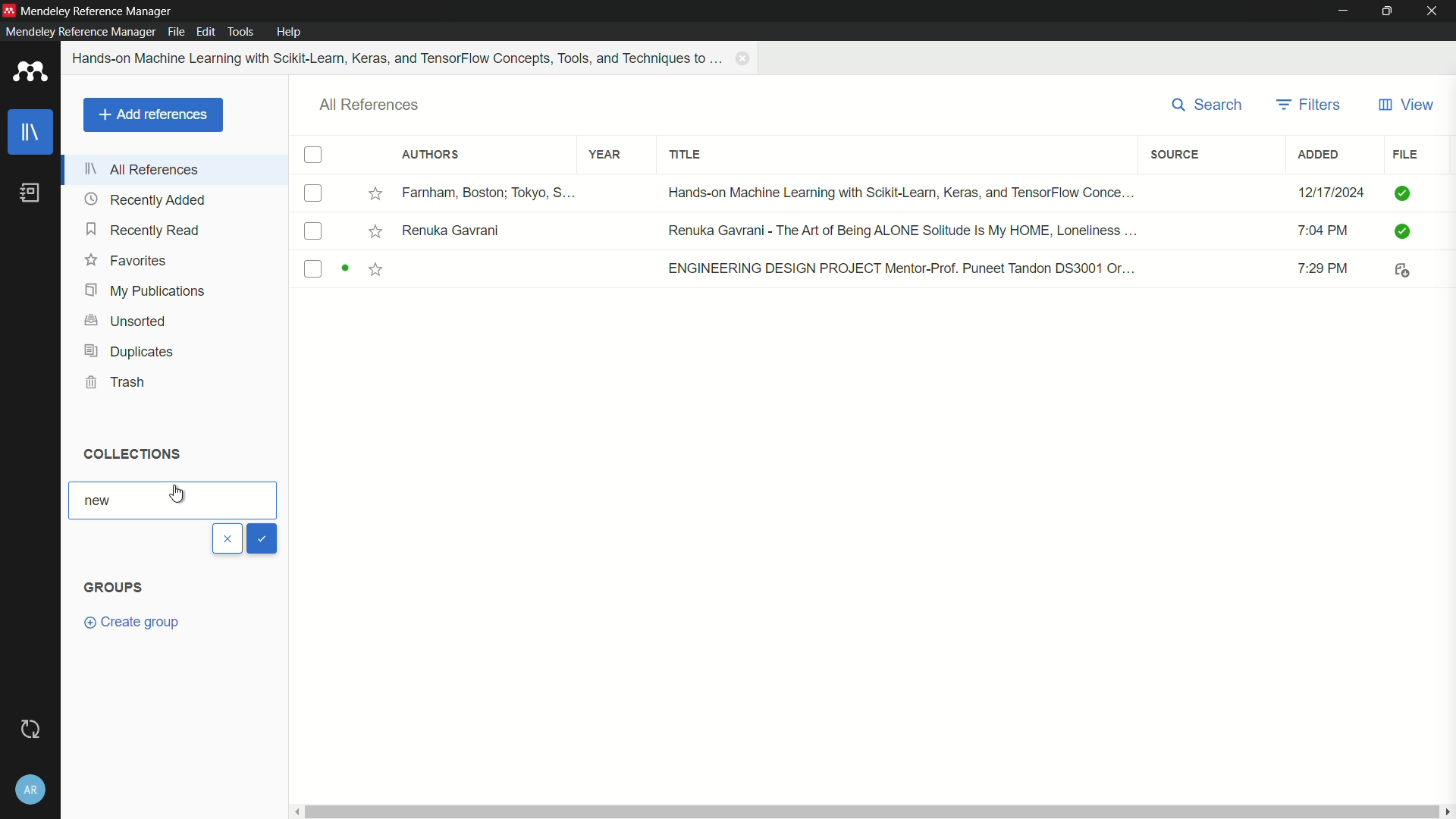 This screenshot has width=1456, height=819. What do you see at coordinates (180, 495) in the screenshot?
I see `cursor` at bounding box center [180, 495].